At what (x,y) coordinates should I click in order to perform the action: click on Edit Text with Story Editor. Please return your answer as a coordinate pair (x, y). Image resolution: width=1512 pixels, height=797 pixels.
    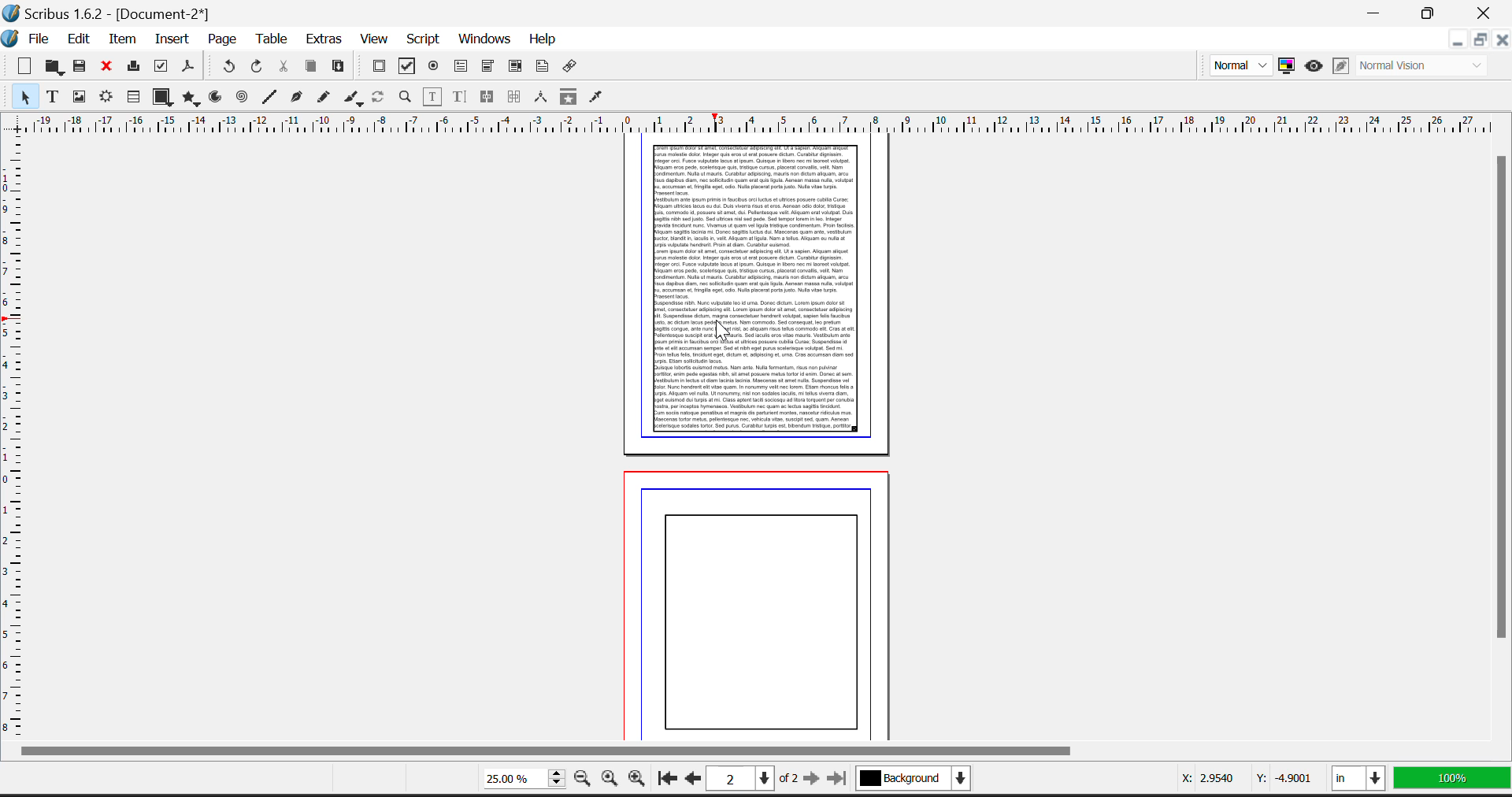
    Looking at the image, I should click on (458, 97).